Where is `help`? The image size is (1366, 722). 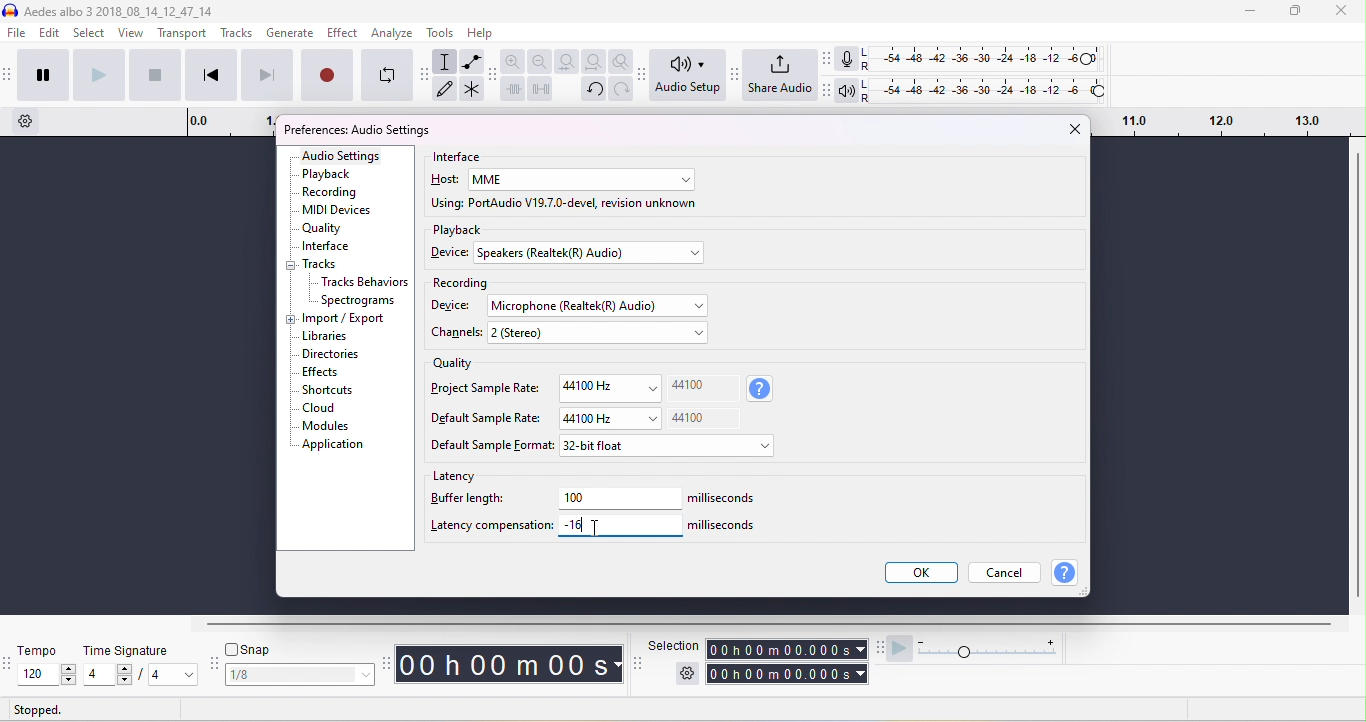 help is located at coordinates (1066, 573).